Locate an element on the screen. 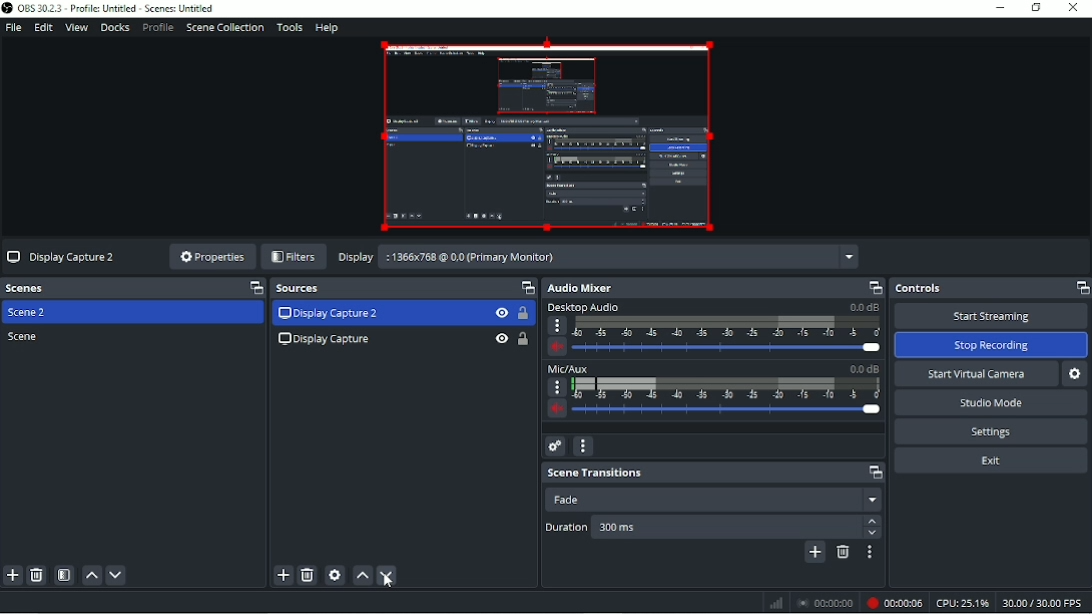 The image size is (1092, 614). Restore down is located at coordinates (1037, 8).